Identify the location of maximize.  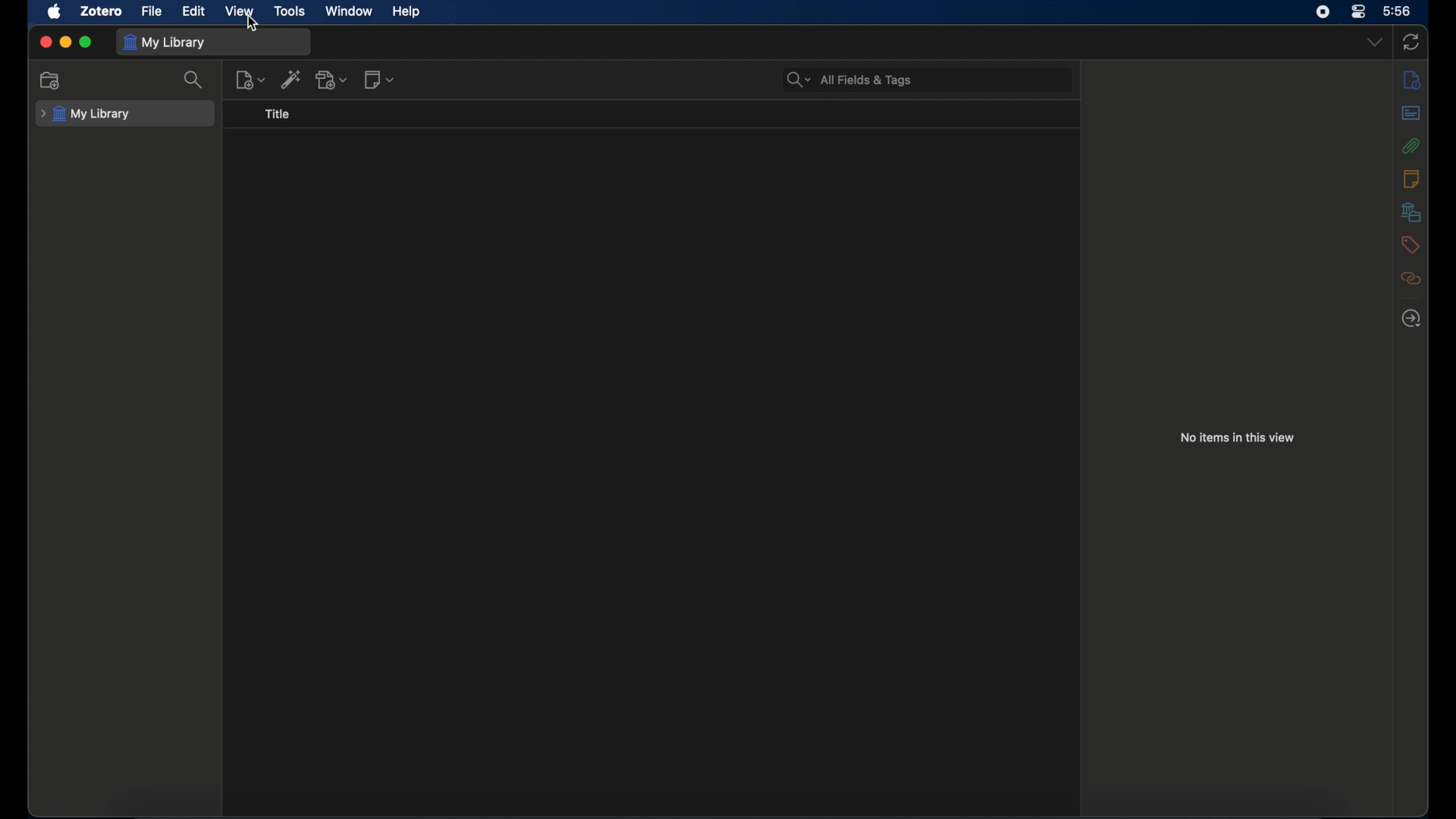
(86, 42).